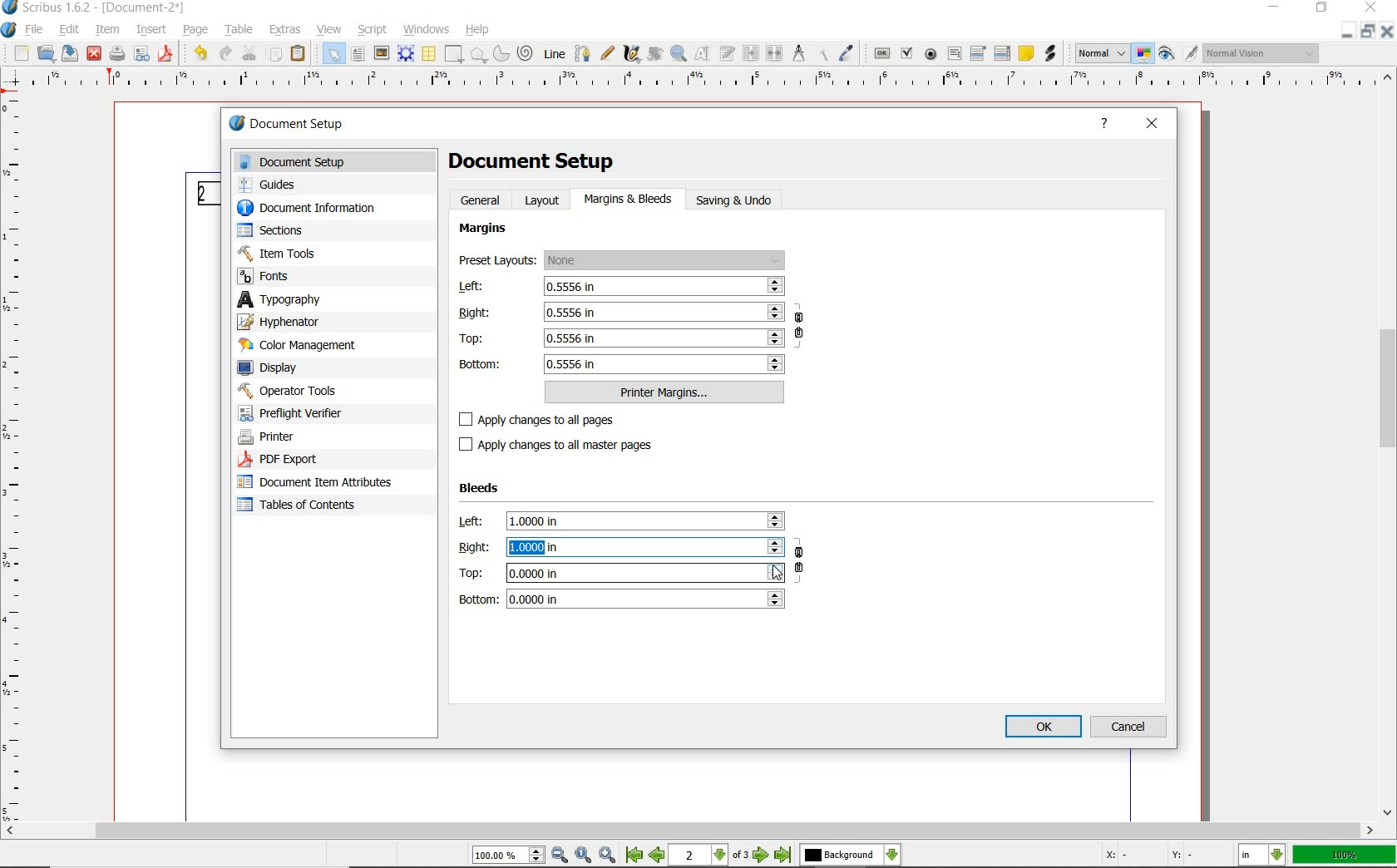  I want to click on copy, so click(274, 55).